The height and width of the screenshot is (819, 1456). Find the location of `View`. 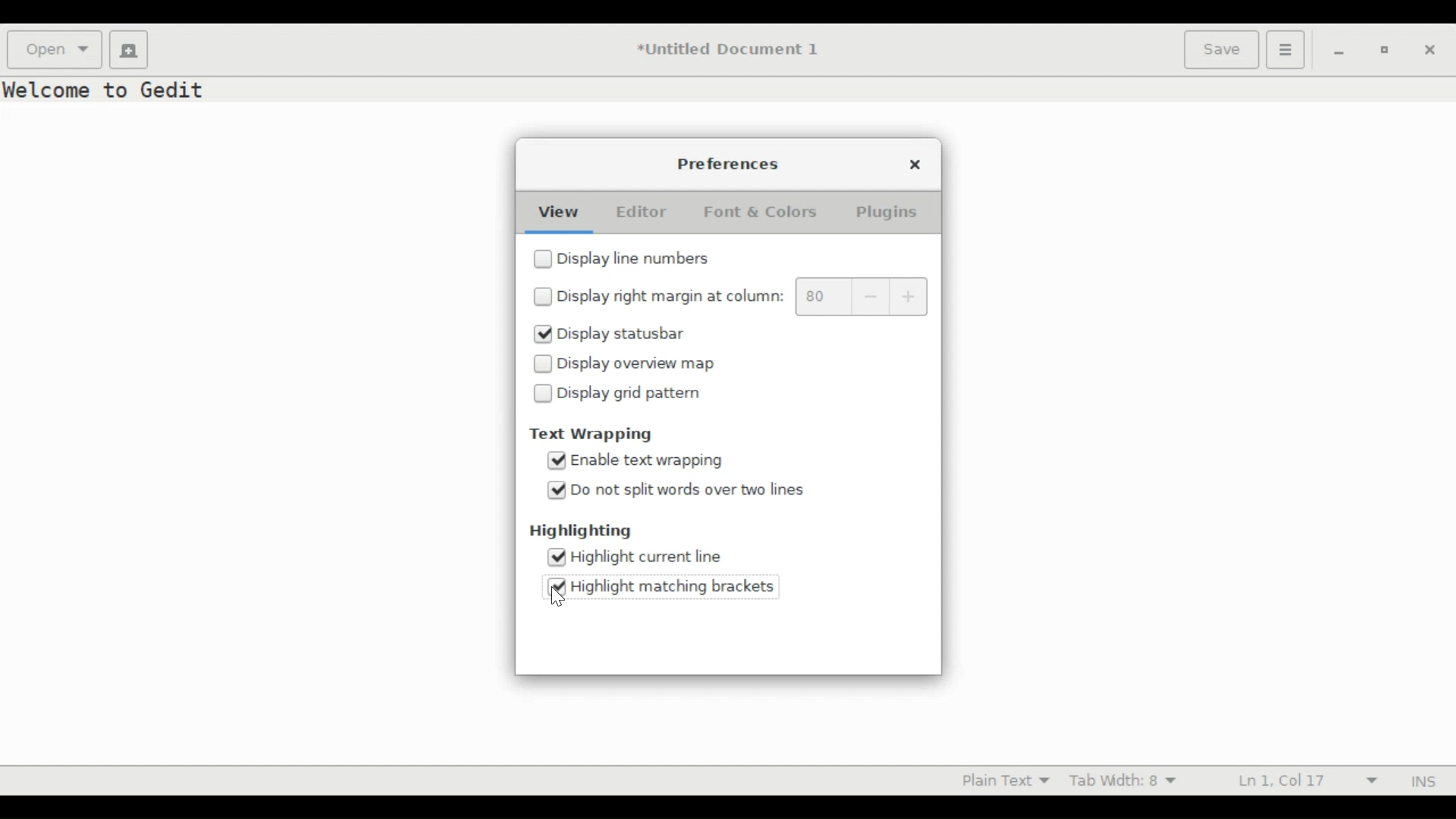

View is located at coordinates (554, 211).